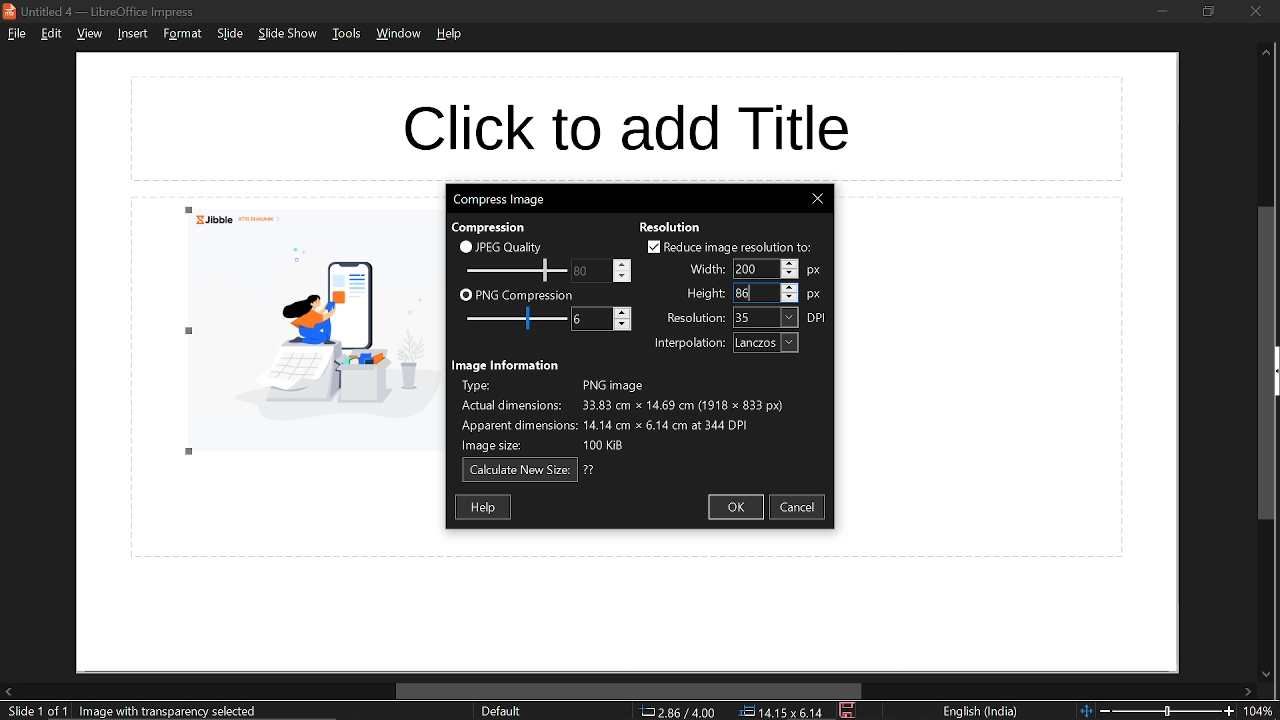 Image resolution: width=1280 pixels, height=720 pixels. What do you see at coordinates (485, 506) in the screenshot?
I see `help` at bounding box center [485, 506].